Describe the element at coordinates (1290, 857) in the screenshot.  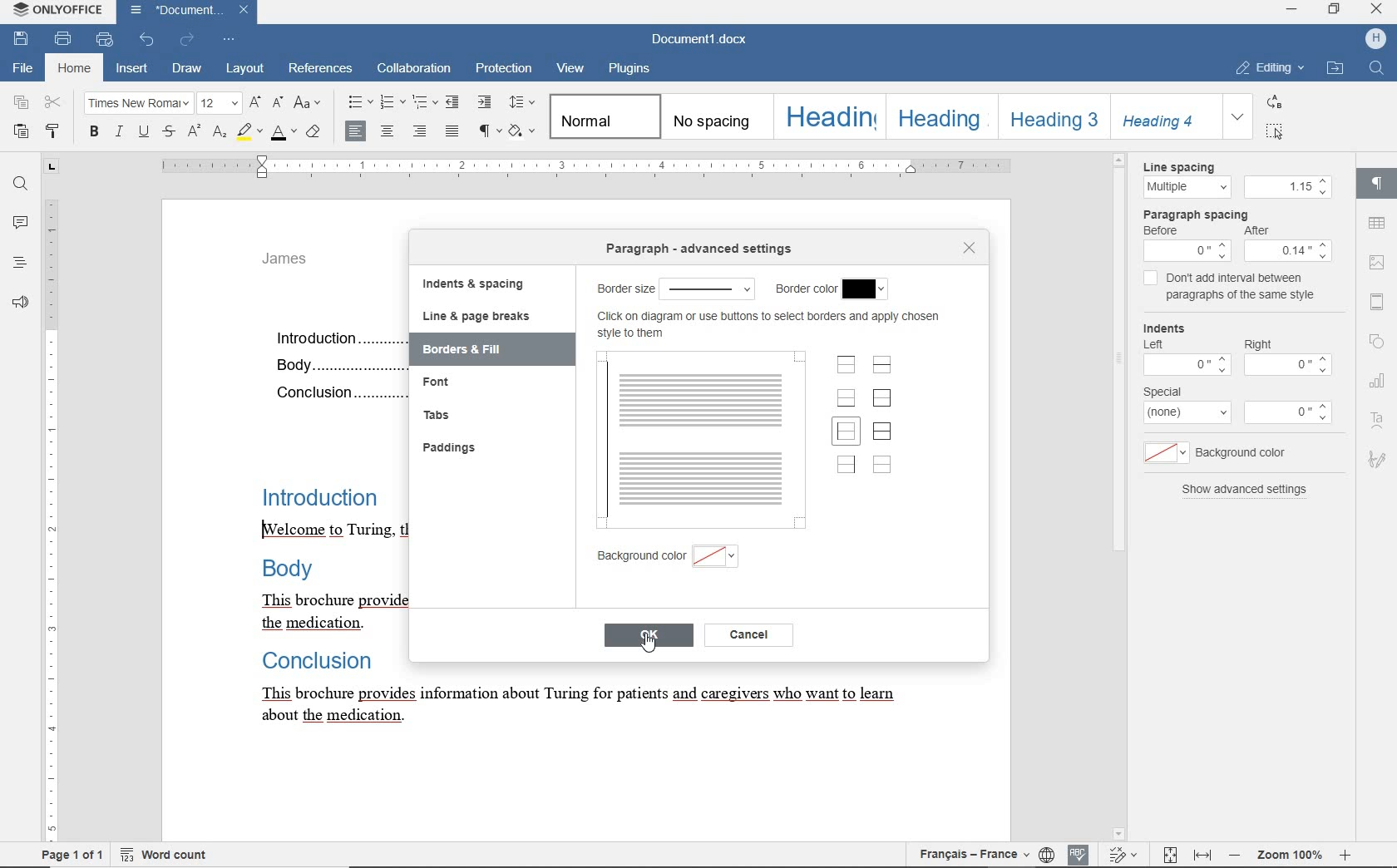
I see `zoom 100%` at that location.